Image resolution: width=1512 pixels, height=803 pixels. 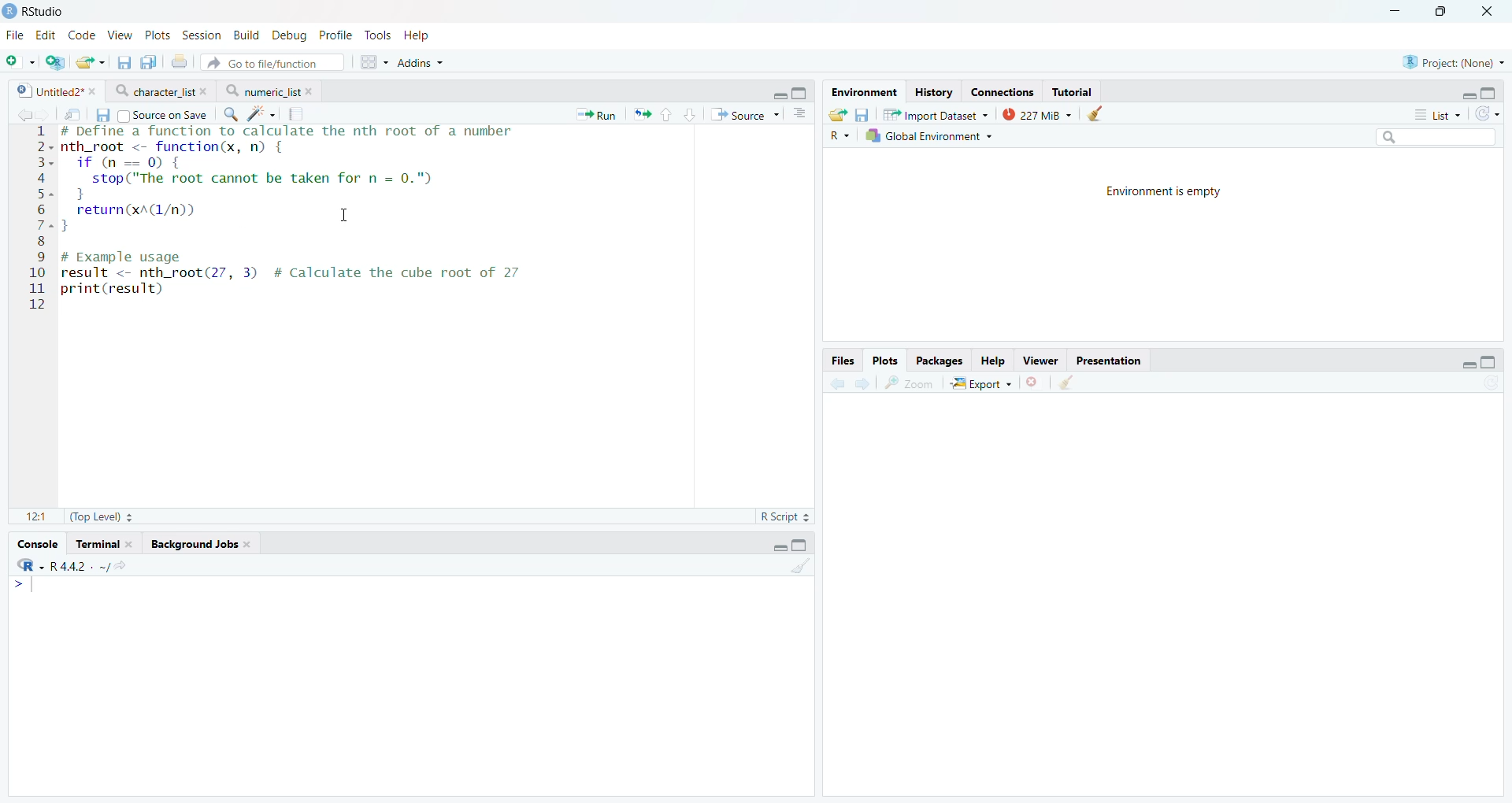 What do you see at coordinates (146, 62) in the screenshot?
I see `Save all open files` at bounding box center [146, 62].